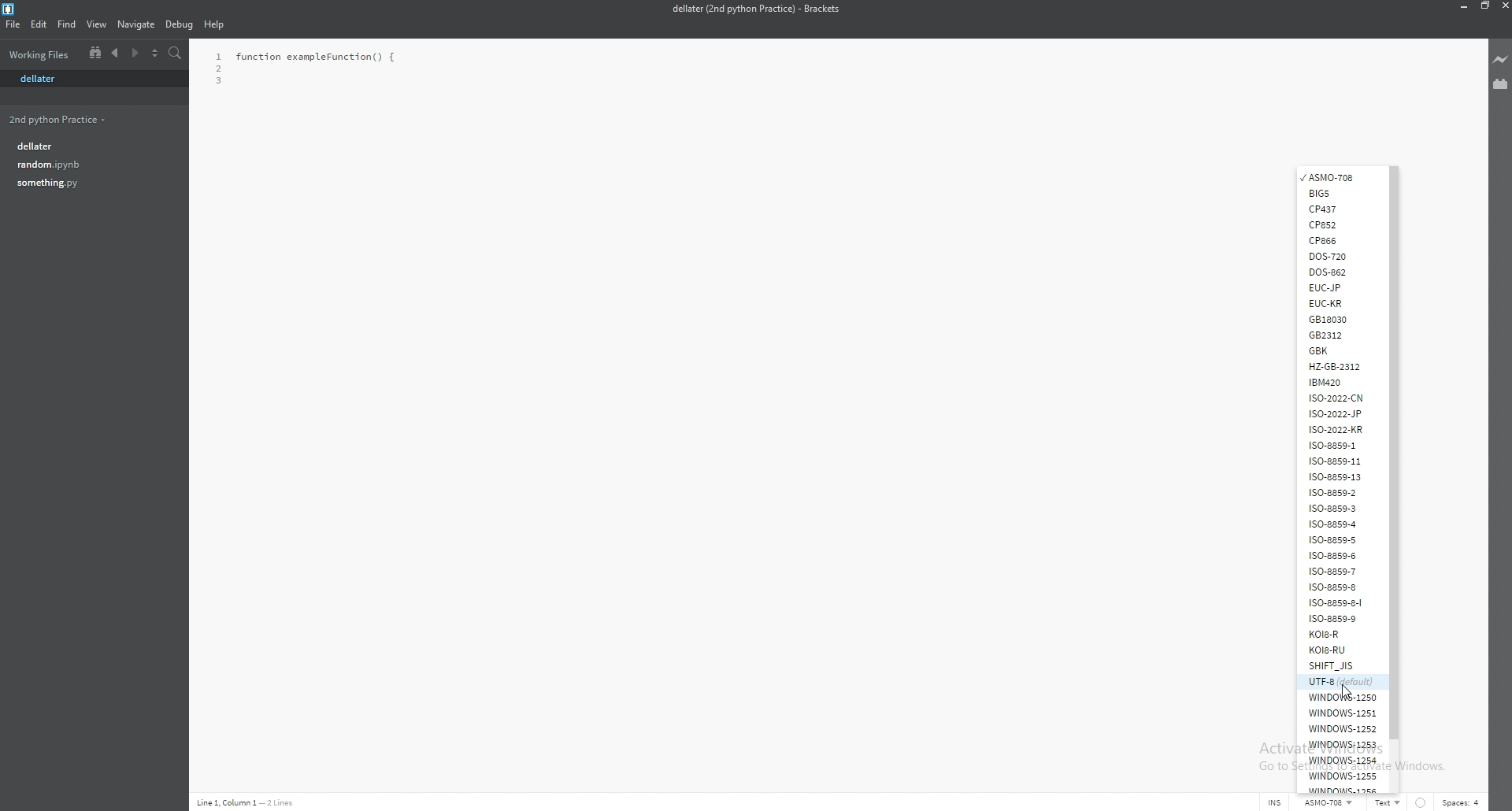 Image resolution: width=1512 pixels, height=811 pixels. I want to click on cp866, so click(1341, 239).